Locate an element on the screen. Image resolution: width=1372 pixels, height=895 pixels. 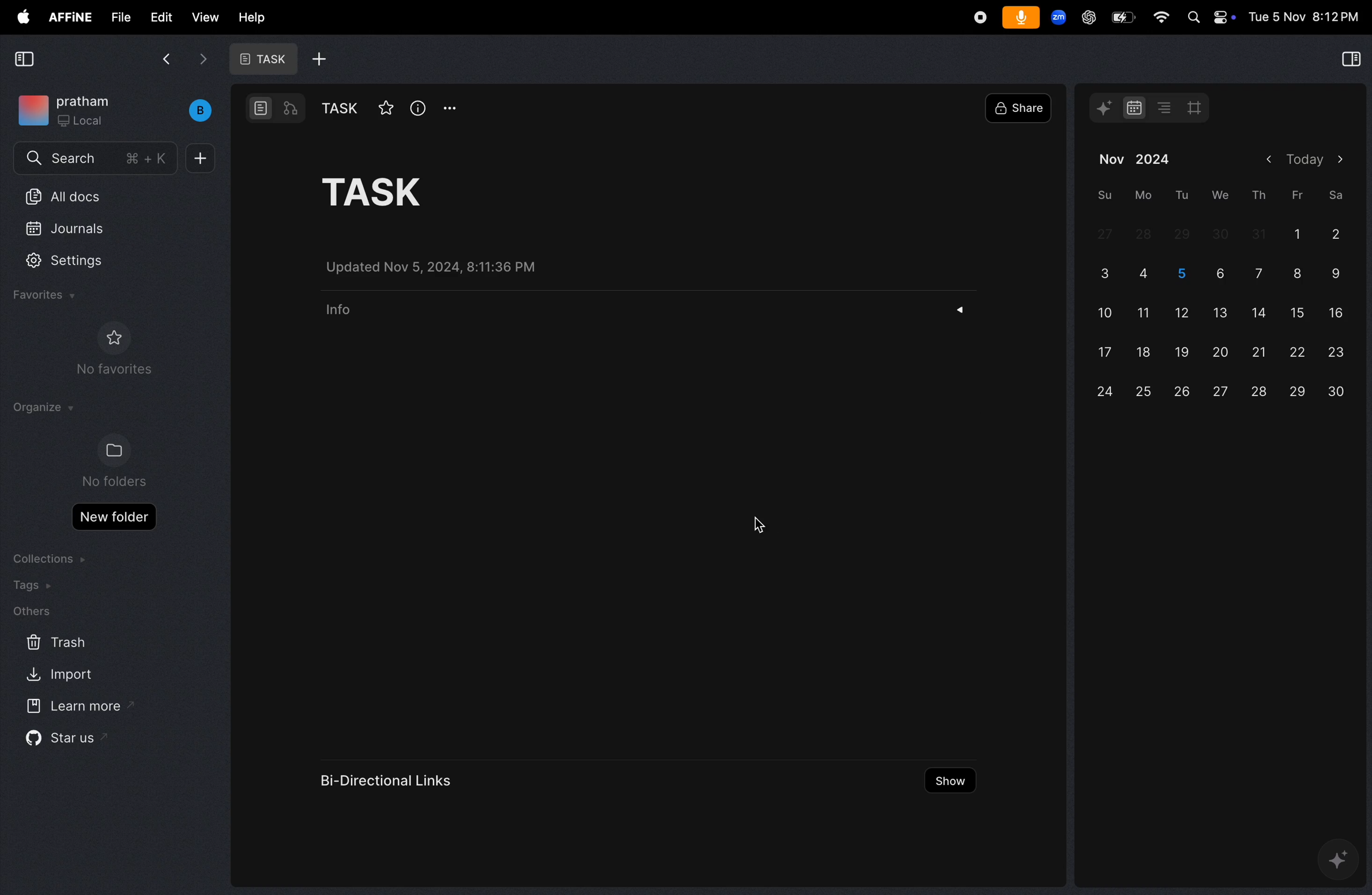
chatgpt is located at coordinates (1085, 17).